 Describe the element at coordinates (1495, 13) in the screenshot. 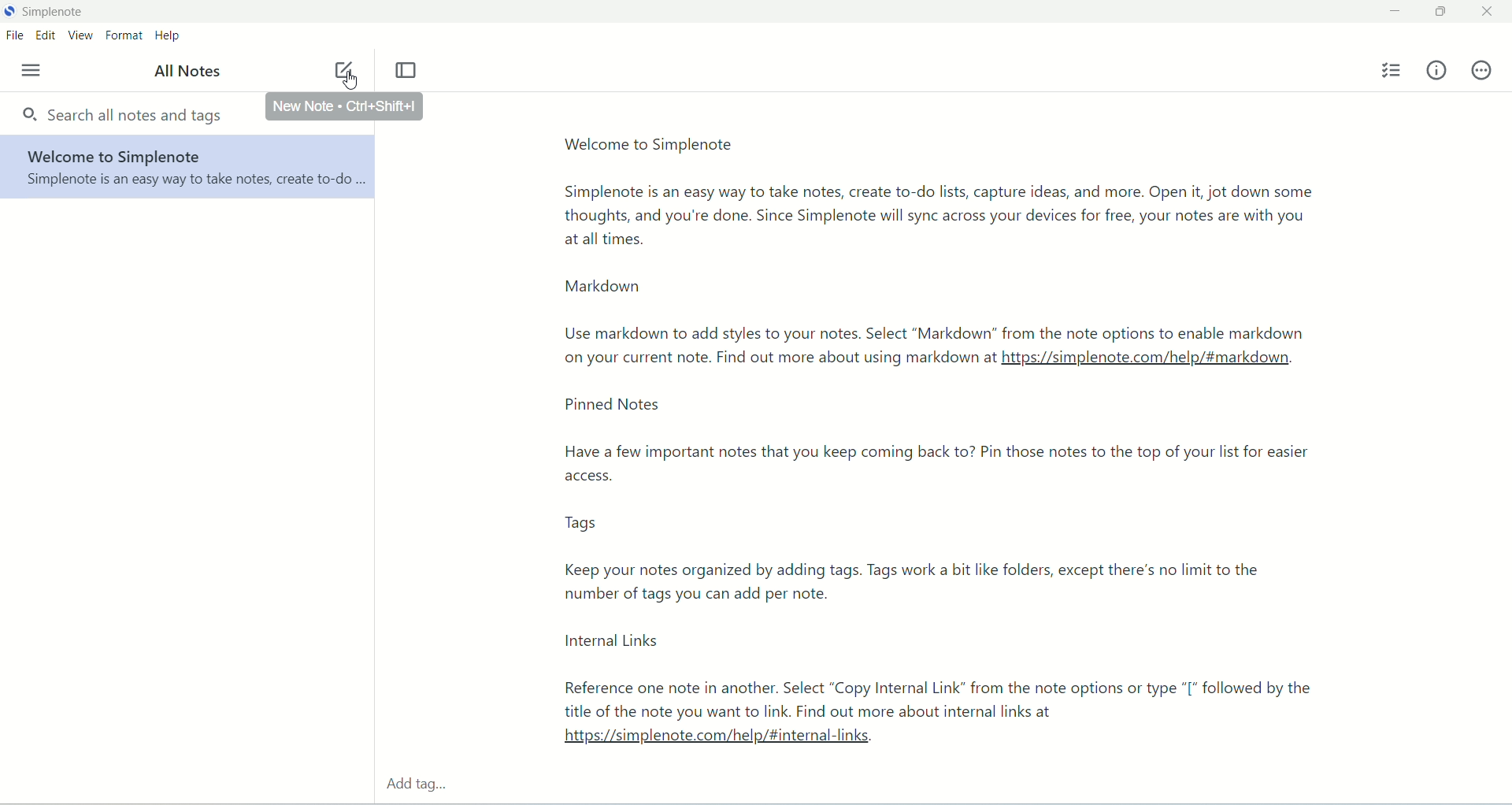

I see `close` at that location.